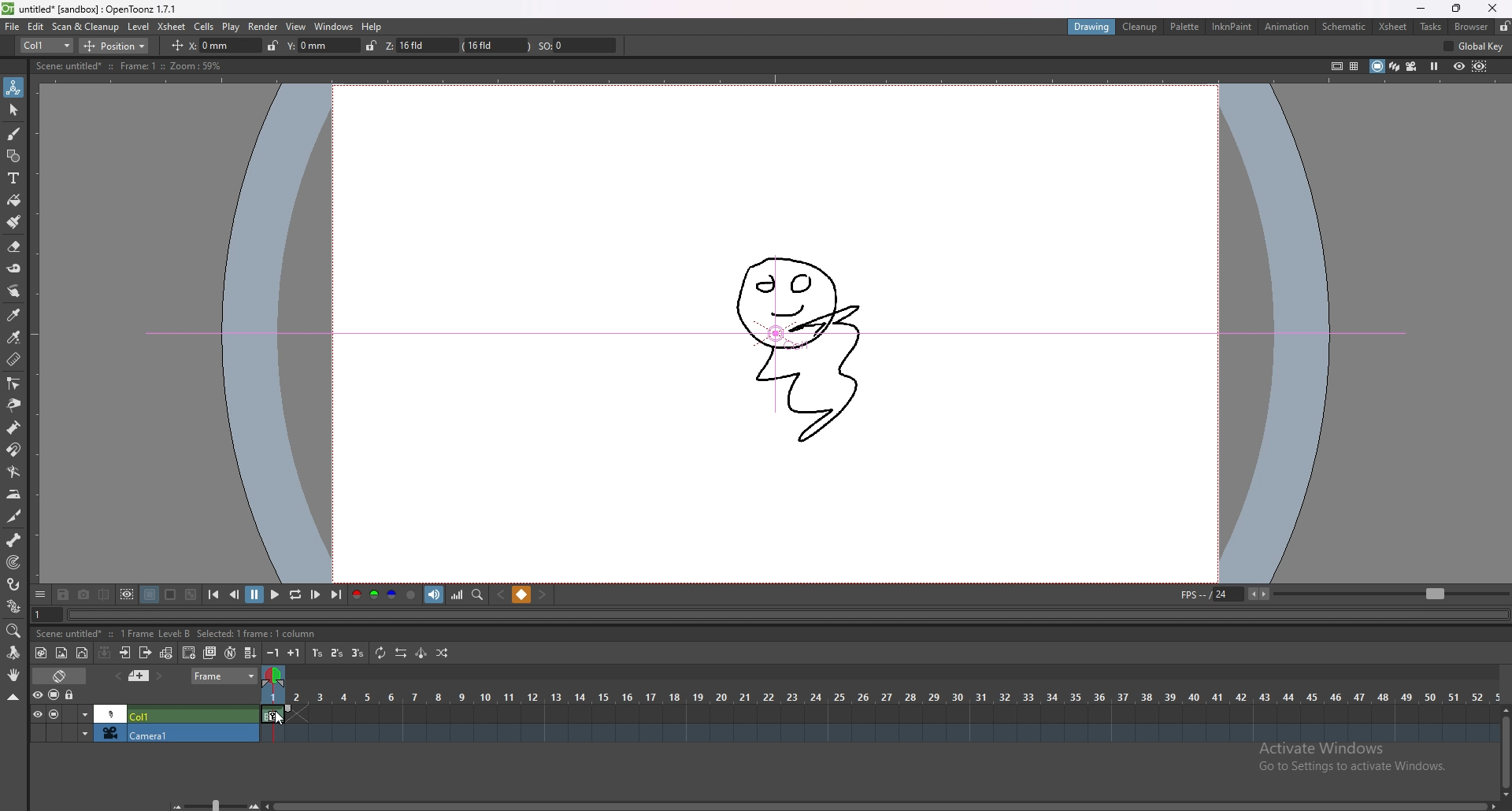  I want to click on scroll bar, so click(1505, 749).